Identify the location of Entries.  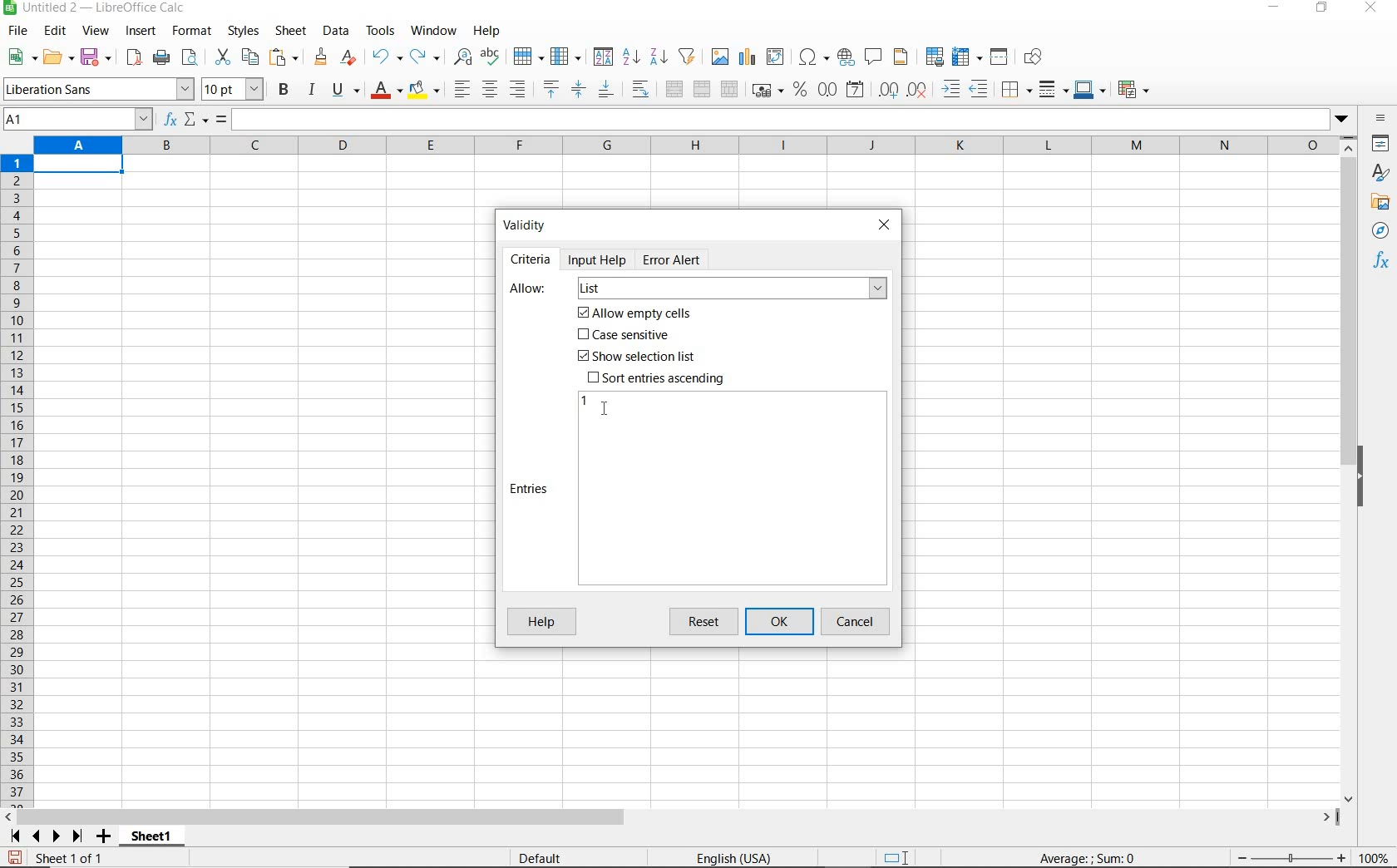
(531, 489).